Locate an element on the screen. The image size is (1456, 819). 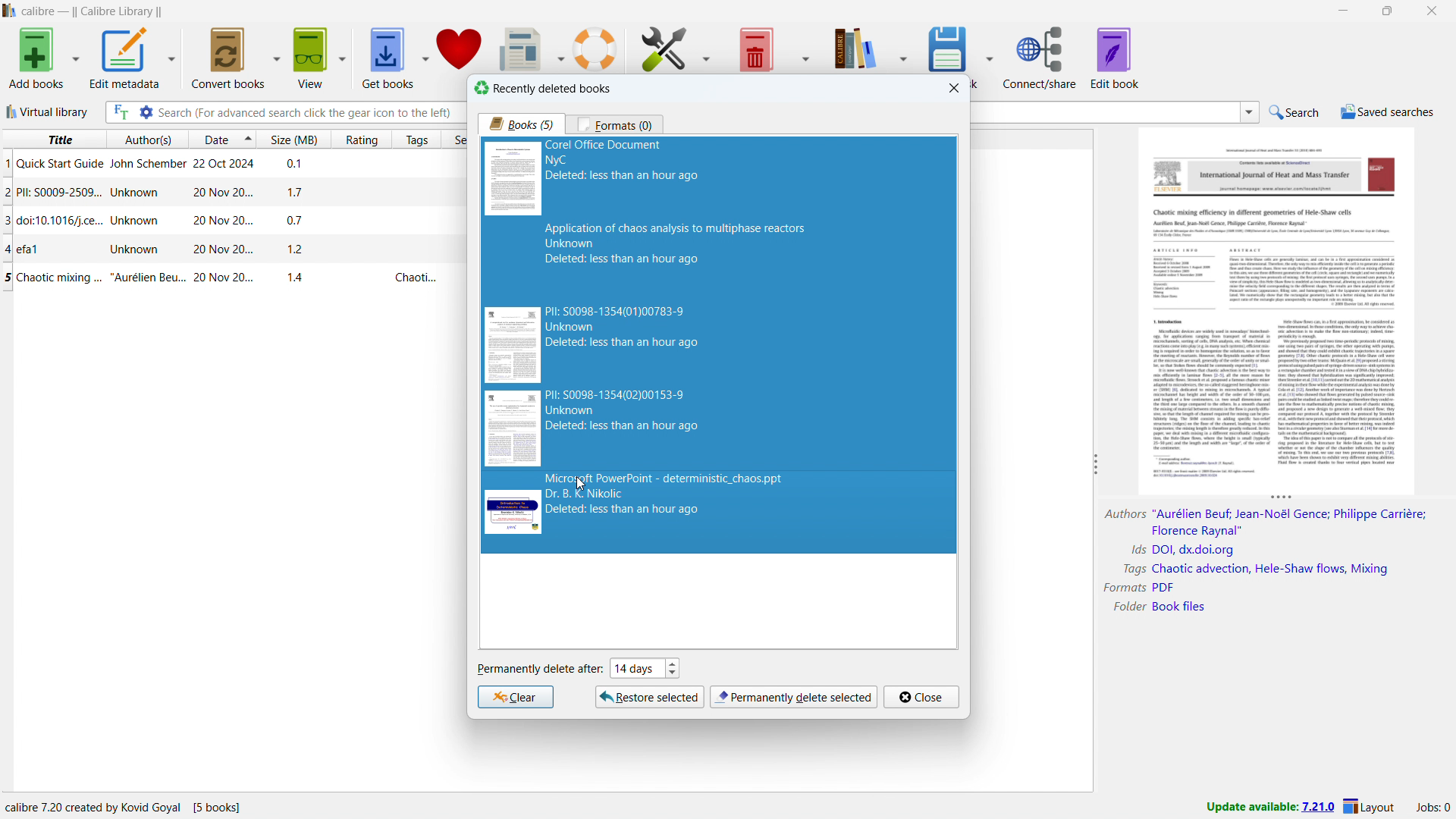
get books options is located at coordinates (424, 57).